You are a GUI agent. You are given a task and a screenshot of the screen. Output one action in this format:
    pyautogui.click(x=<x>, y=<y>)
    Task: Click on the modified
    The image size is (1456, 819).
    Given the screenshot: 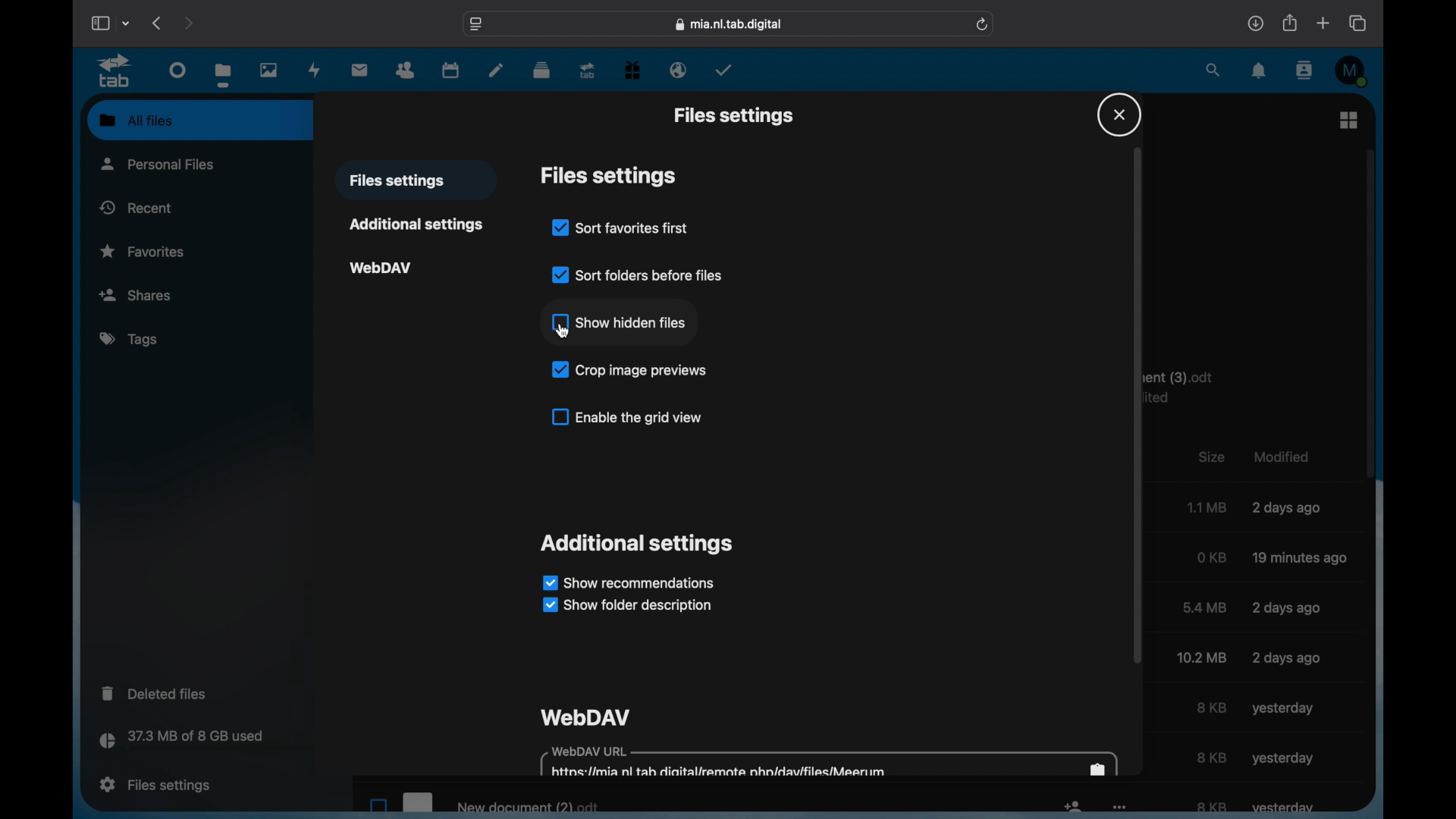 What is the action you would take?
    pyautogui.click(x=1286, y=607)
    